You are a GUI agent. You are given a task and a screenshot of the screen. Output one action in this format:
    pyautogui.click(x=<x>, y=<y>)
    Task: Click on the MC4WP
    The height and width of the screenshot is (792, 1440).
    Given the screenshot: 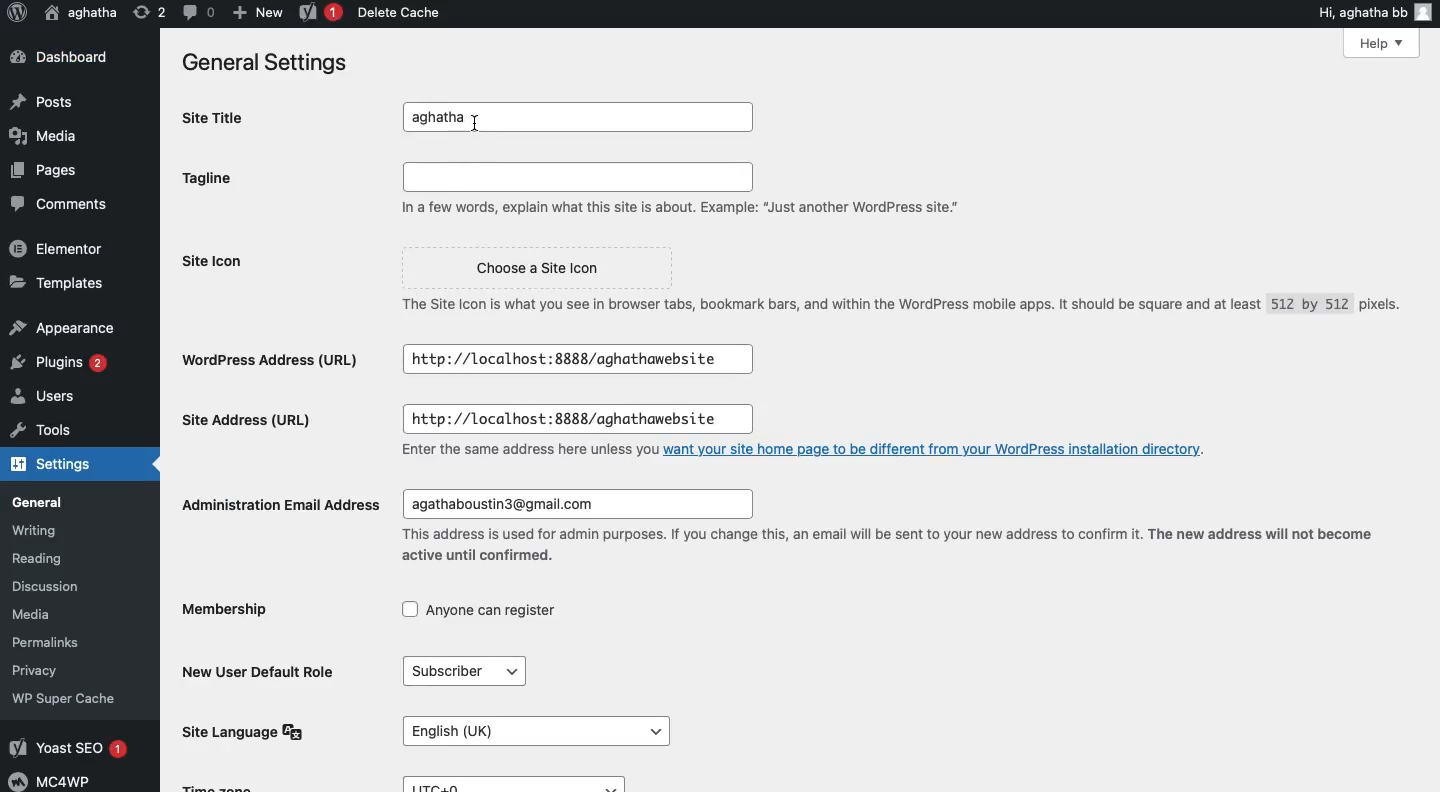 What is the action you would take?
    pyautogui.click(x=53, y=781)
    